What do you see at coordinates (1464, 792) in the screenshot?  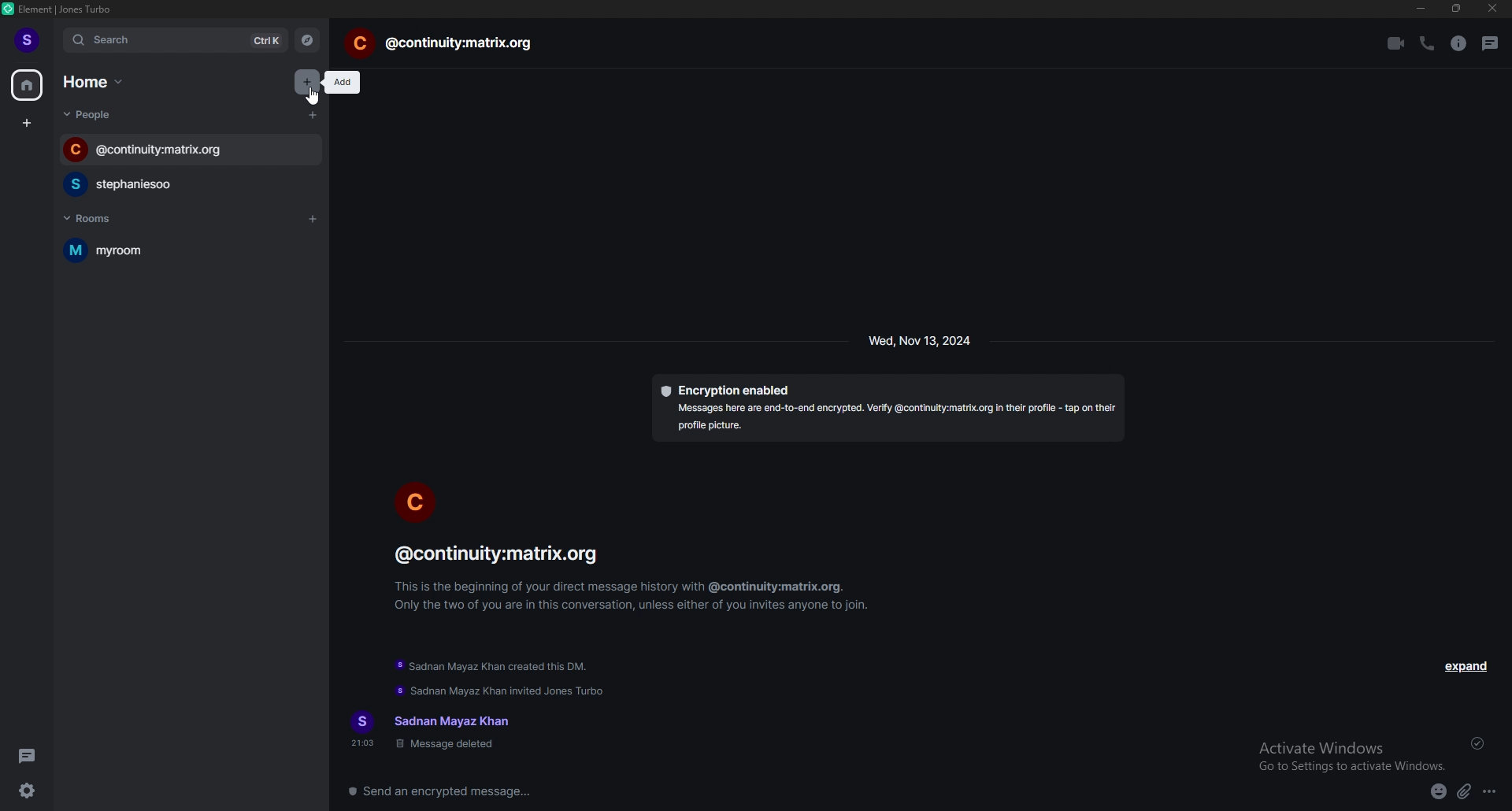 I see `attachment` at bounding box center [1464, 792].